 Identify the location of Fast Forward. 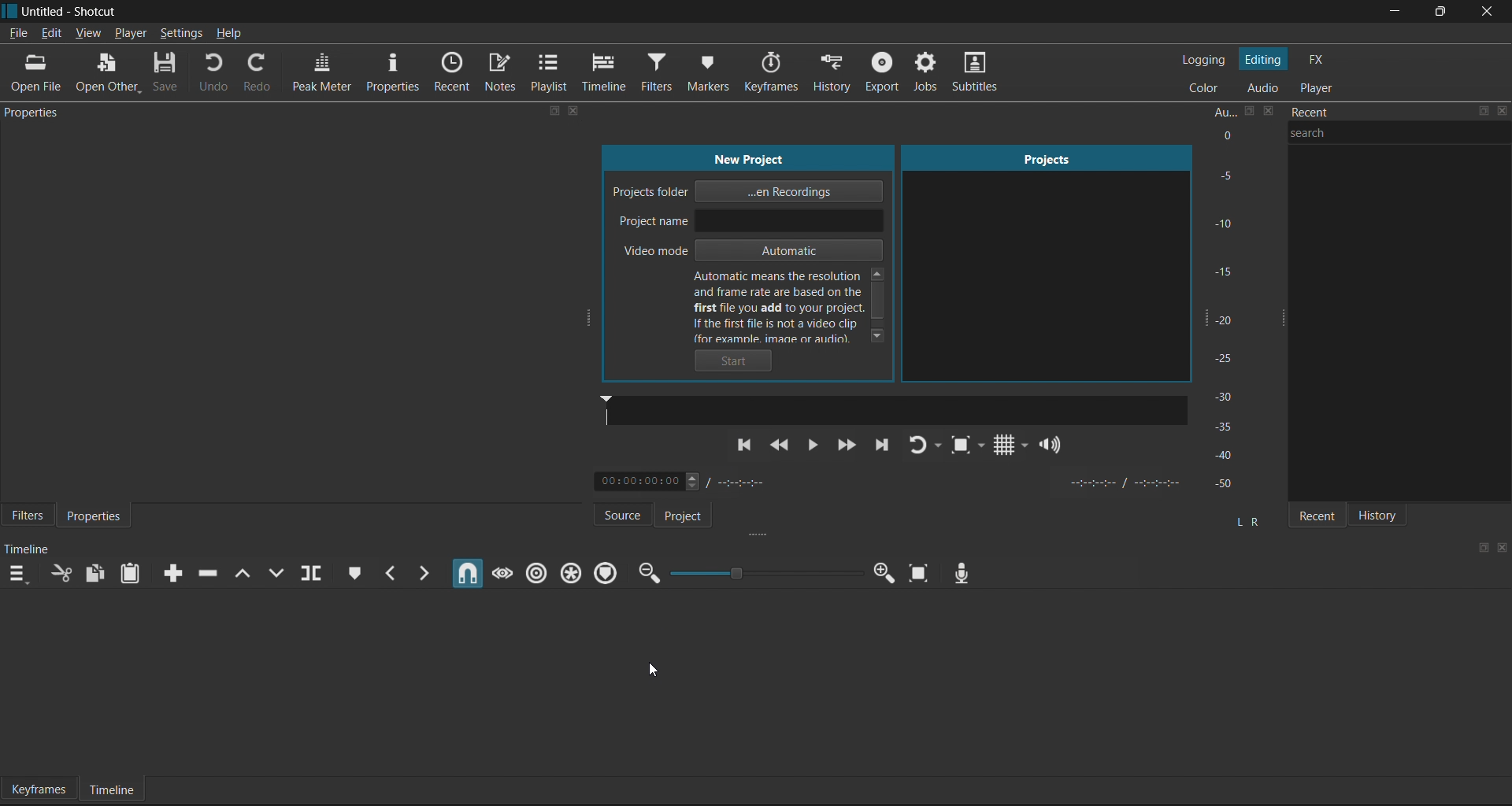
(845, 445).